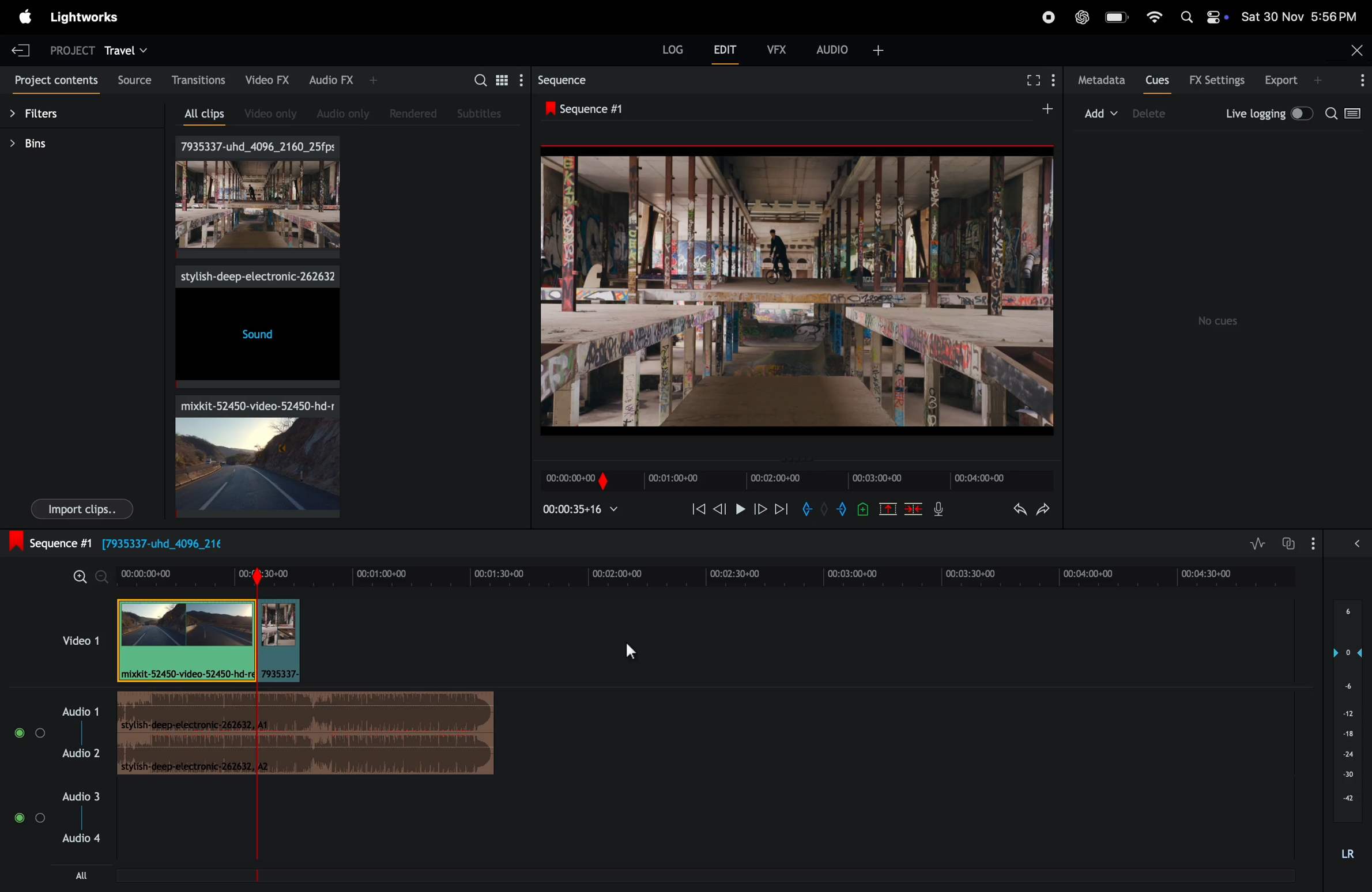 This screenshot has height=892, width=1372. I want to click on video only, so click(265, 114).